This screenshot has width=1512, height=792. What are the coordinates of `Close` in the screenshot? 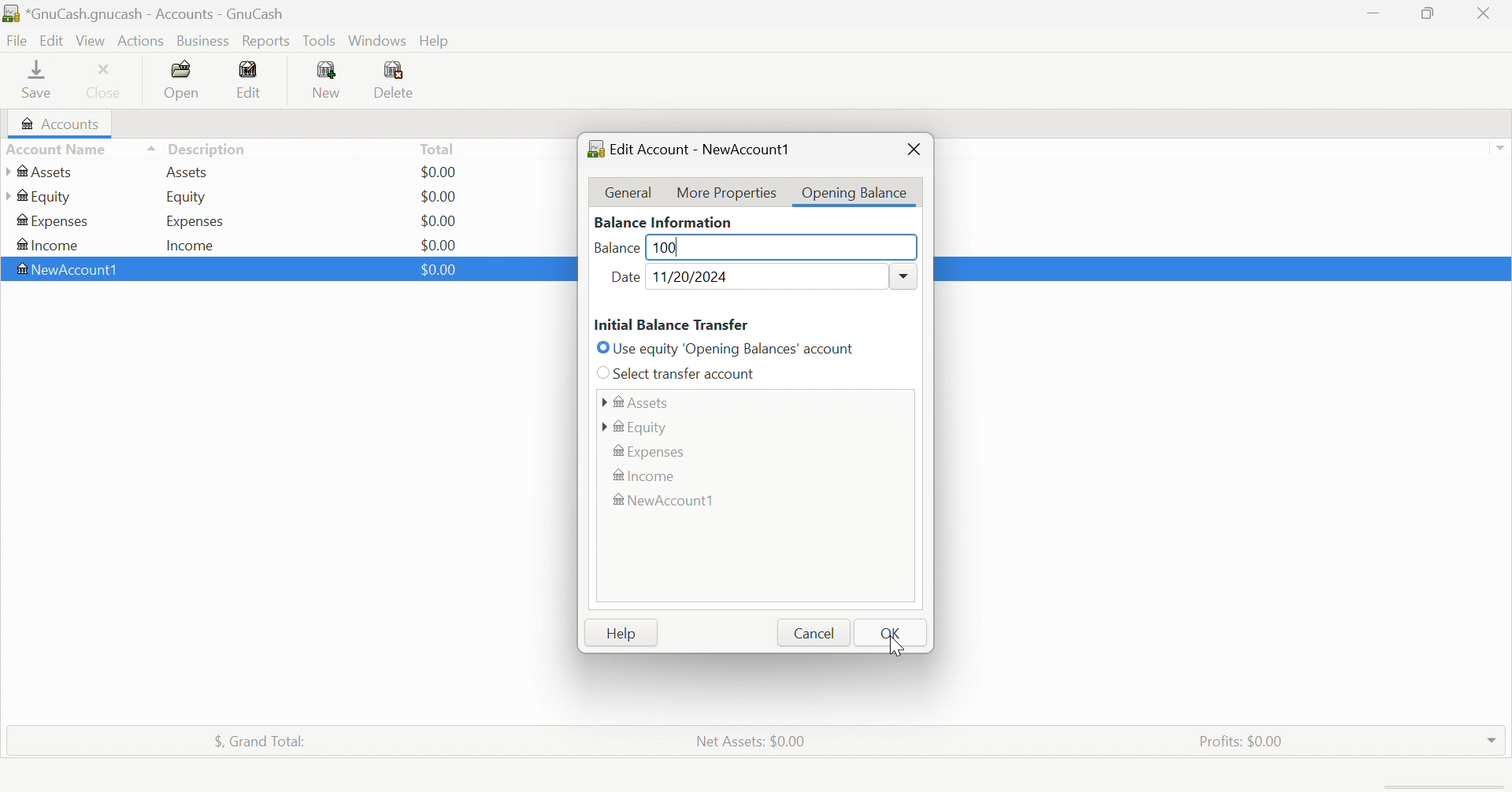 It's located at (1486, 13).